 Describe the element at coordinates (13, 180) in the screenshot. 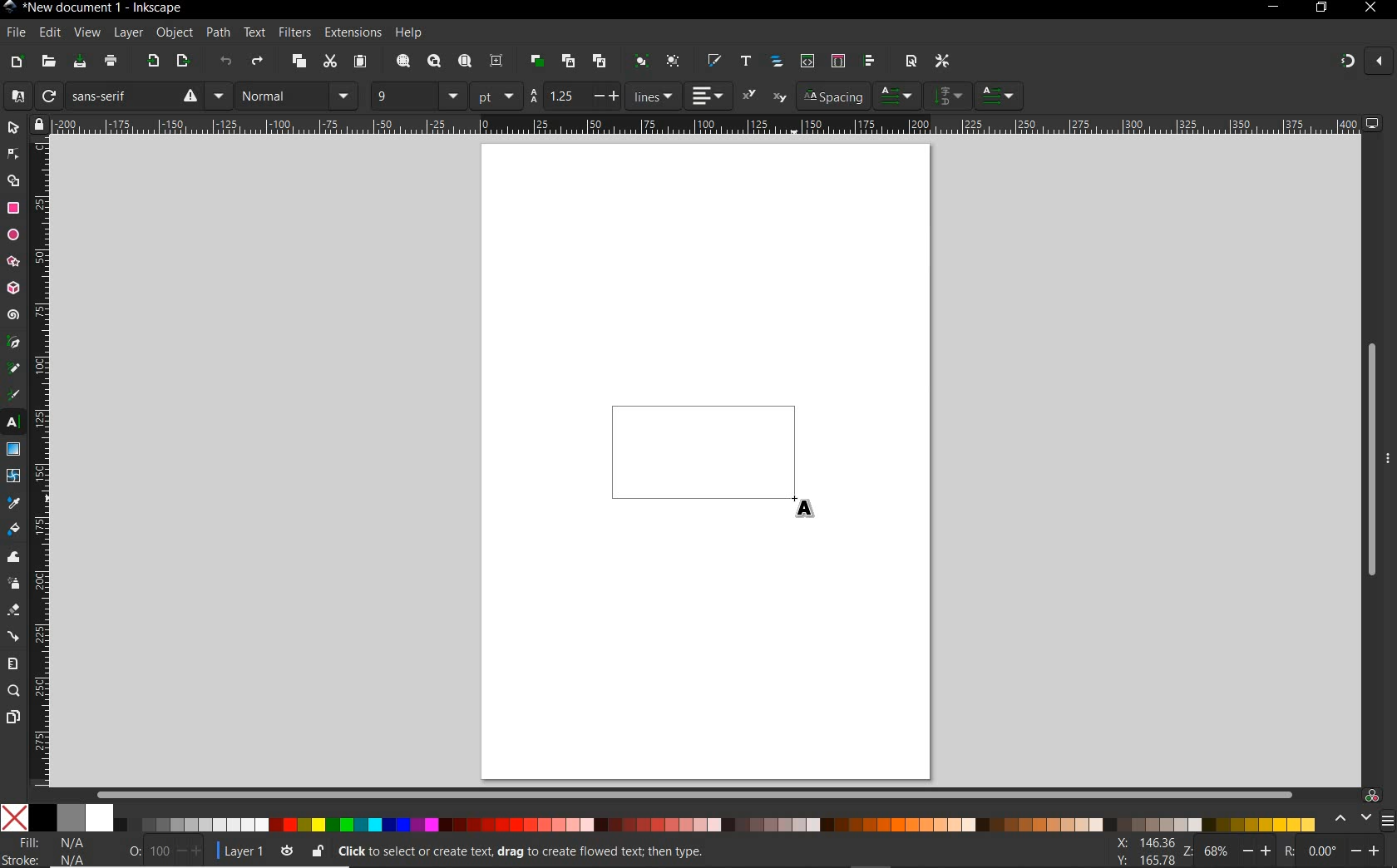

I see `shape builder tool` at that location.